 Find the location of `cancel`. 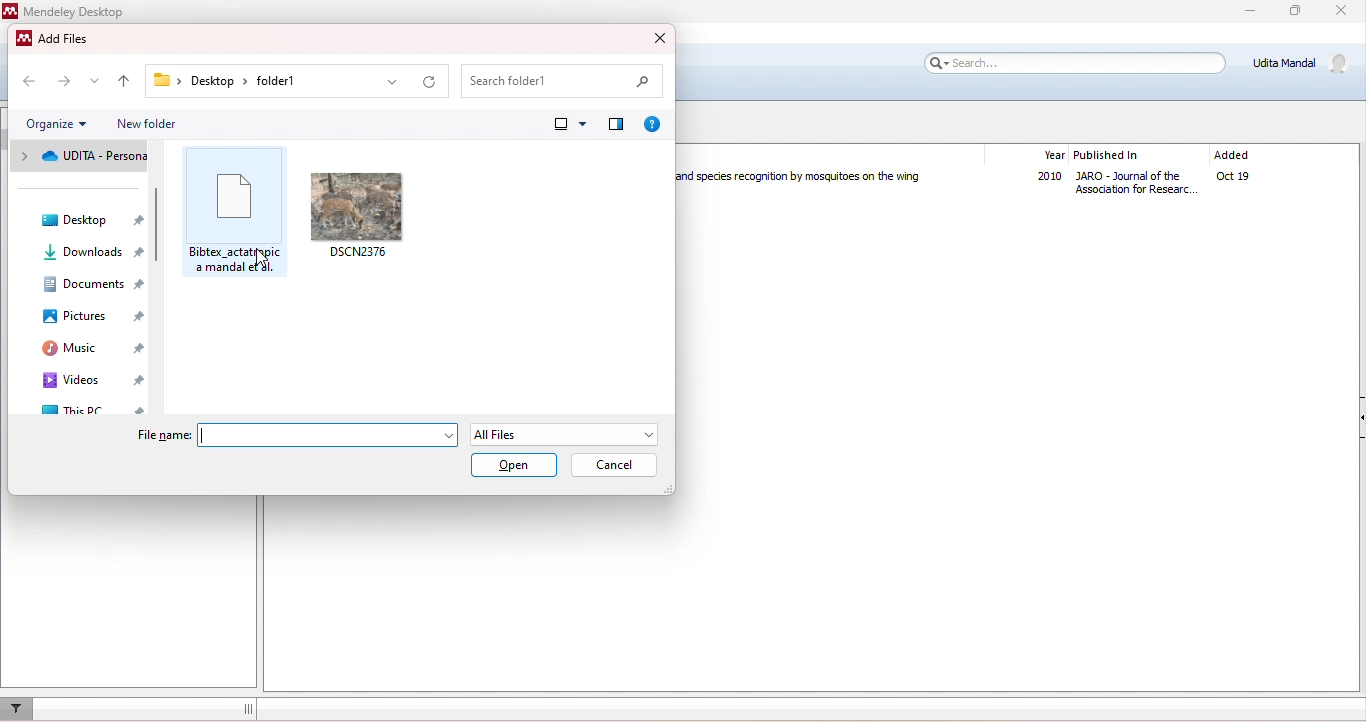

cancel is located at coordinates (615, 466).